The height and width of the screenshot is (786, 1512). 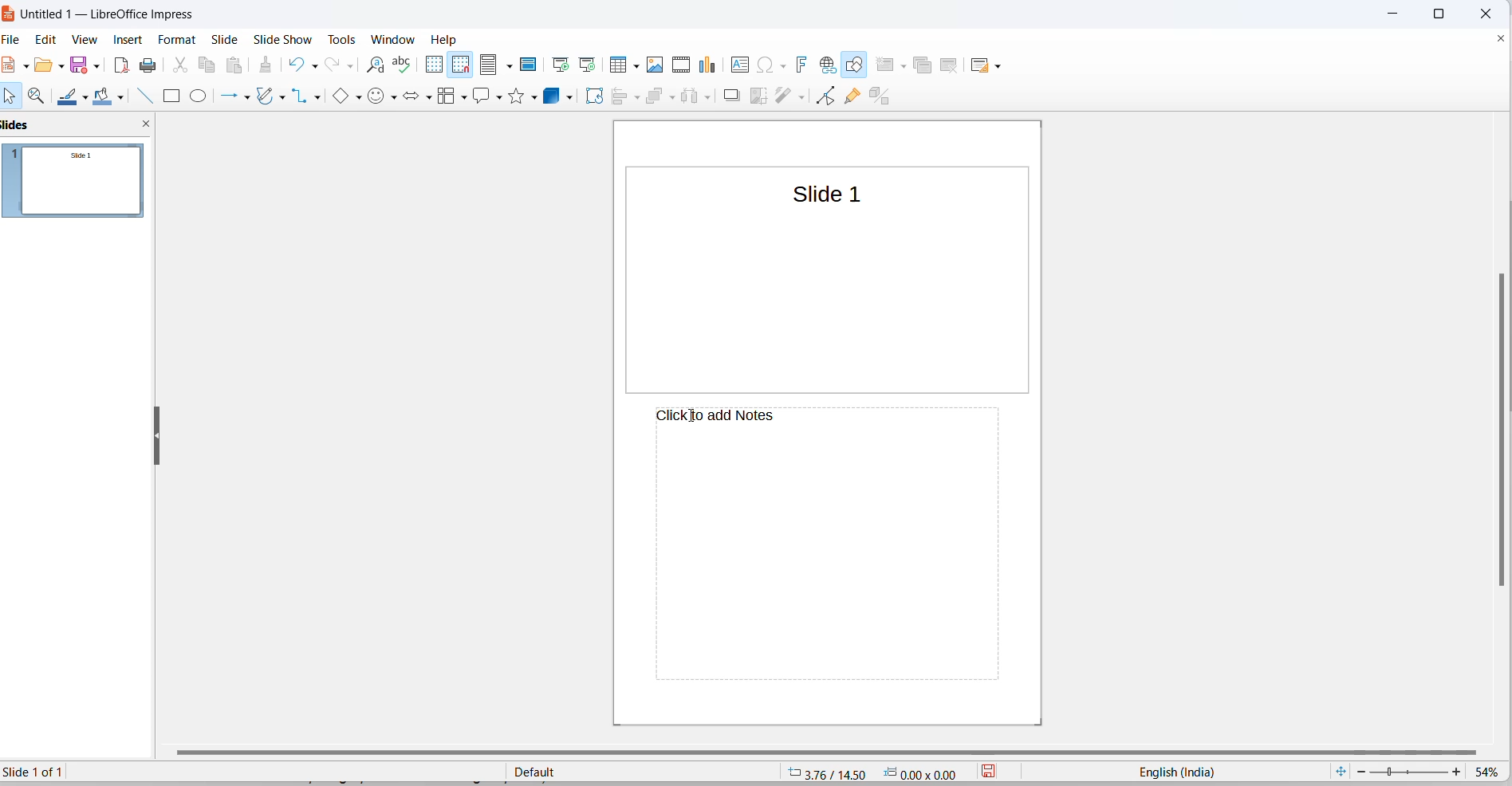 What do you see at coordinates (445, 39) in the screenshot?
I see `help` at bounding box center [445, 39].